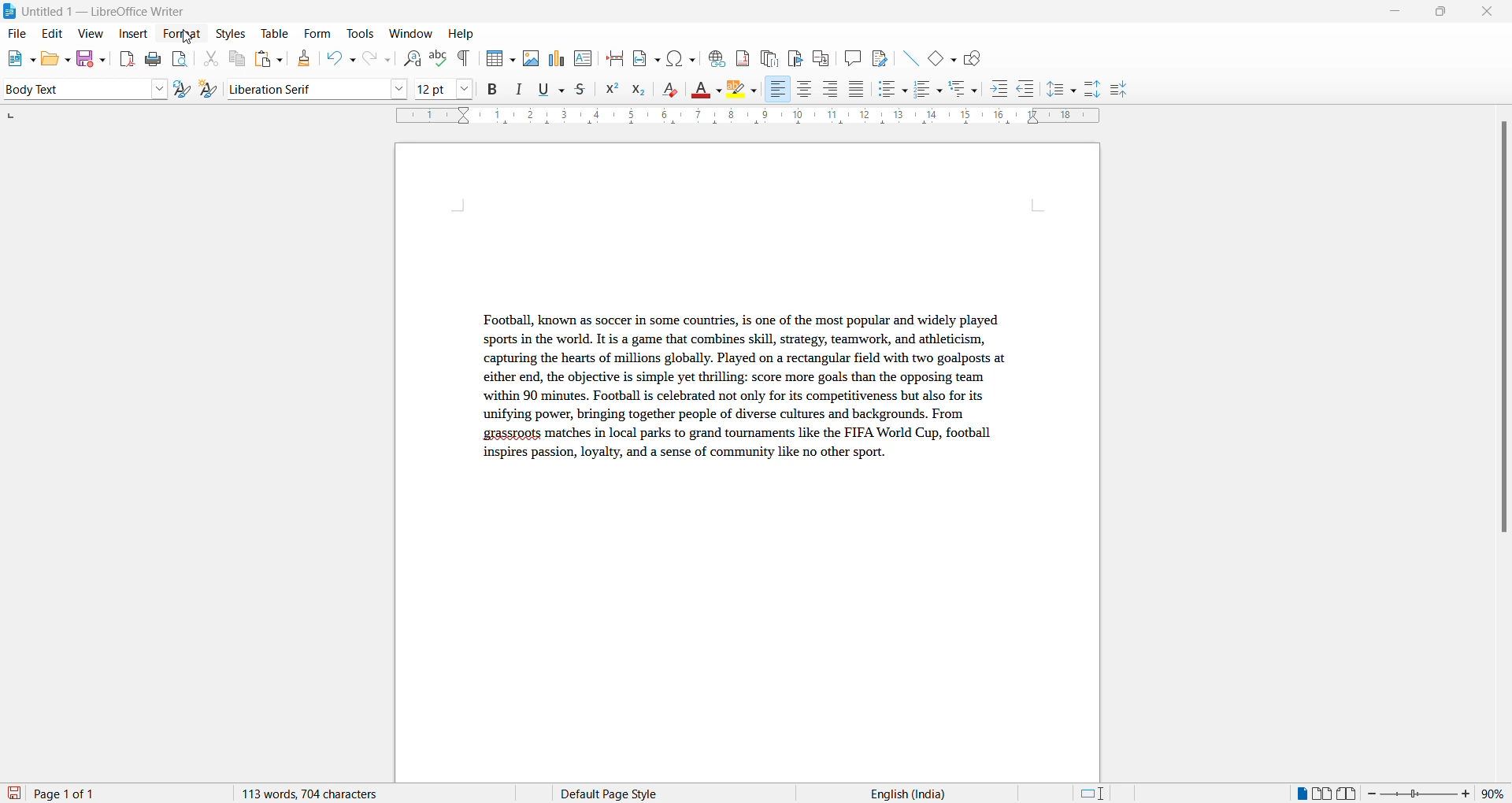  Describe the element at coordinates (94, 55) in the screenshot. I see `save as` at that location.